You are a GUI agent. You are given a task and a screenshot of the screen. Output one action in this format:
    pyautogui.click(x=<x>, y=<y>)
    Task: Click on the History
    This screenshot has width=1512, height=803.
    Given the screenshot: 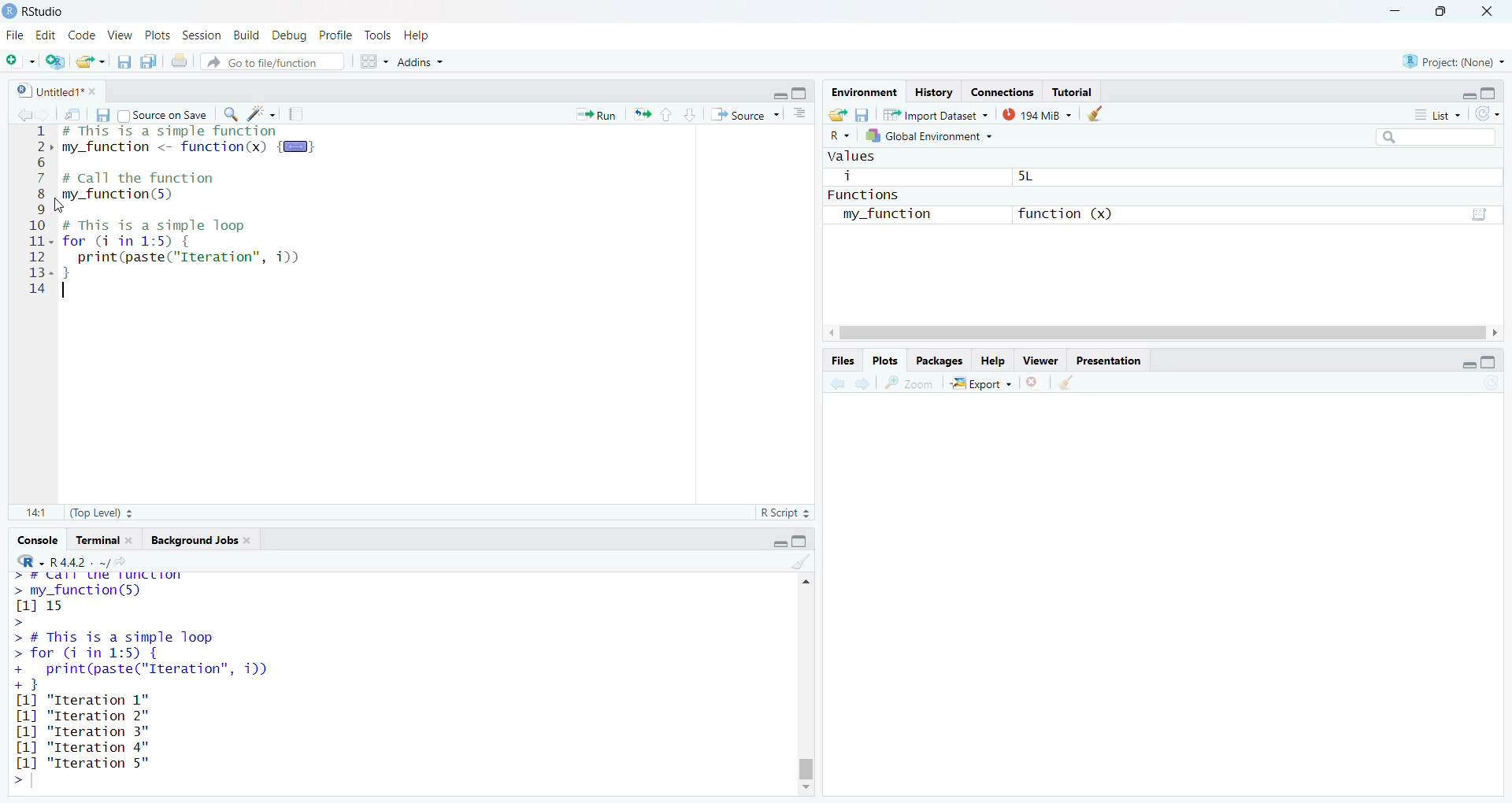 What is the action you would take?
    pyautogui.click(x=934, y=91)
    